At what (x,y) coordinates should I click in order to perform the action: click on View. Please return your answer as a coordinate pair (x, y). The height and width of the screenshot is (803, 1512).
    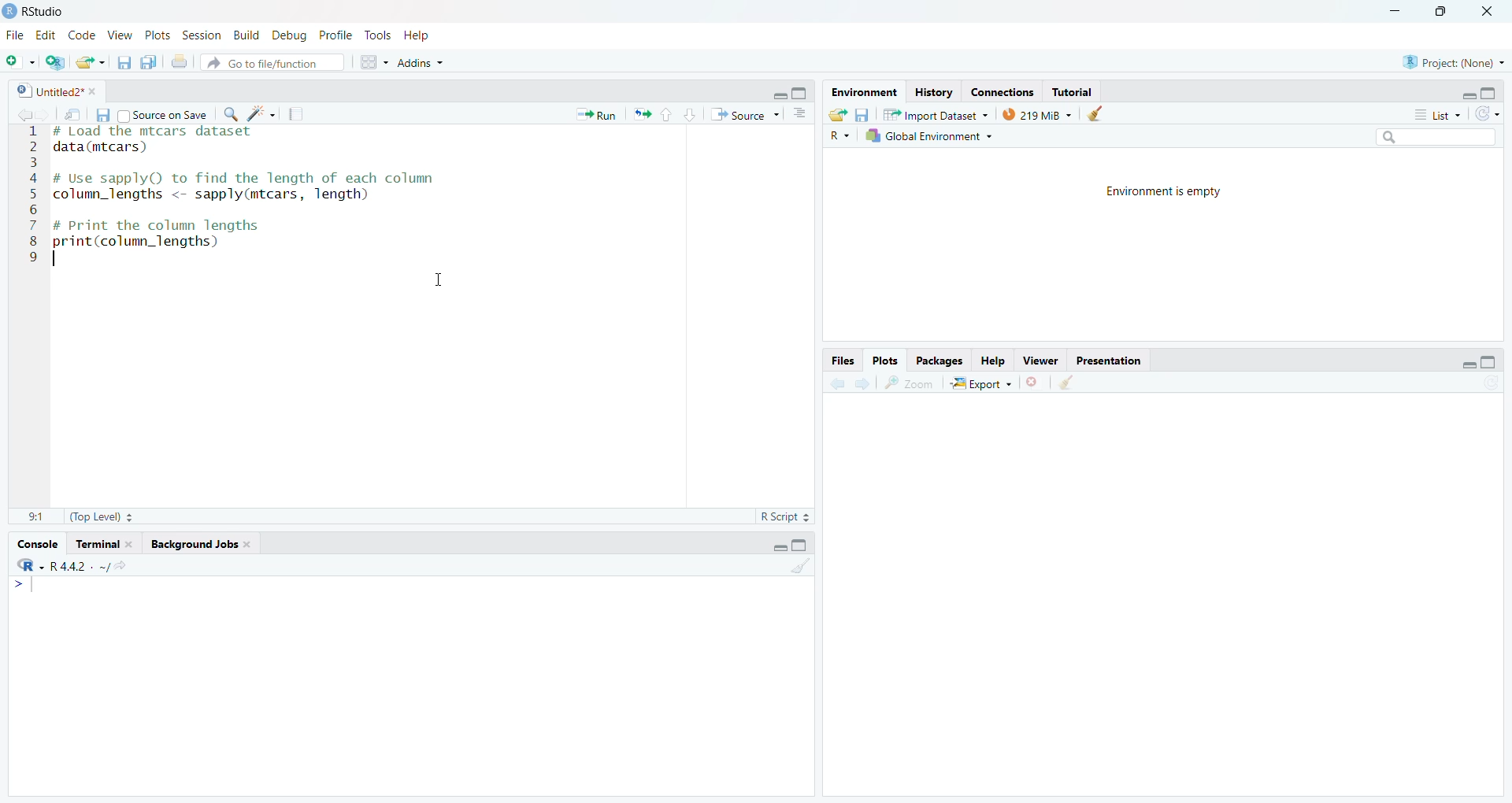
    Looking at the image, I should click on (120, 35).